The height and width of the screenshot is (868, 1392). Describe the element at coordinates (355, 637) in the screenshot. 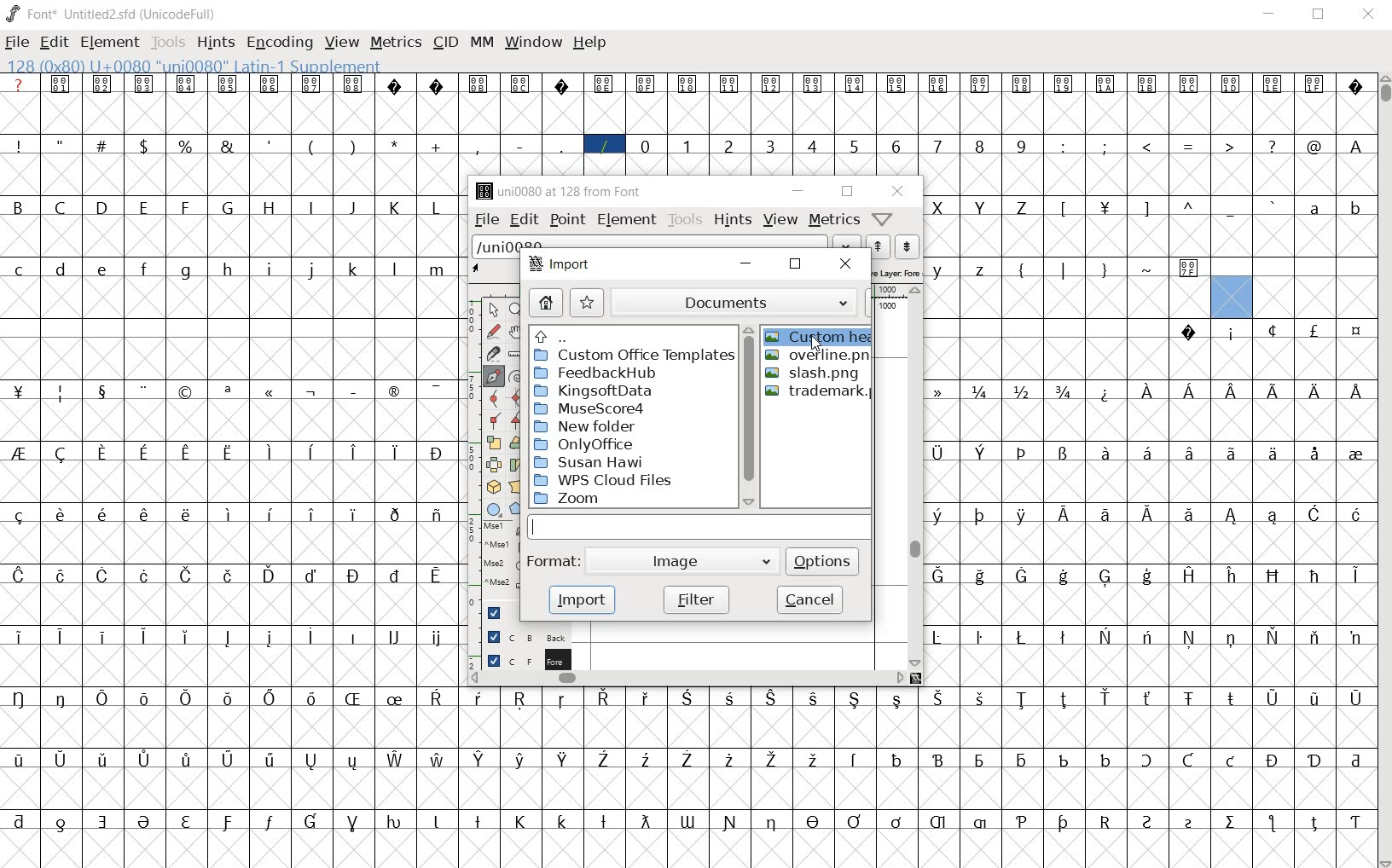

I see `glyph` at that location.